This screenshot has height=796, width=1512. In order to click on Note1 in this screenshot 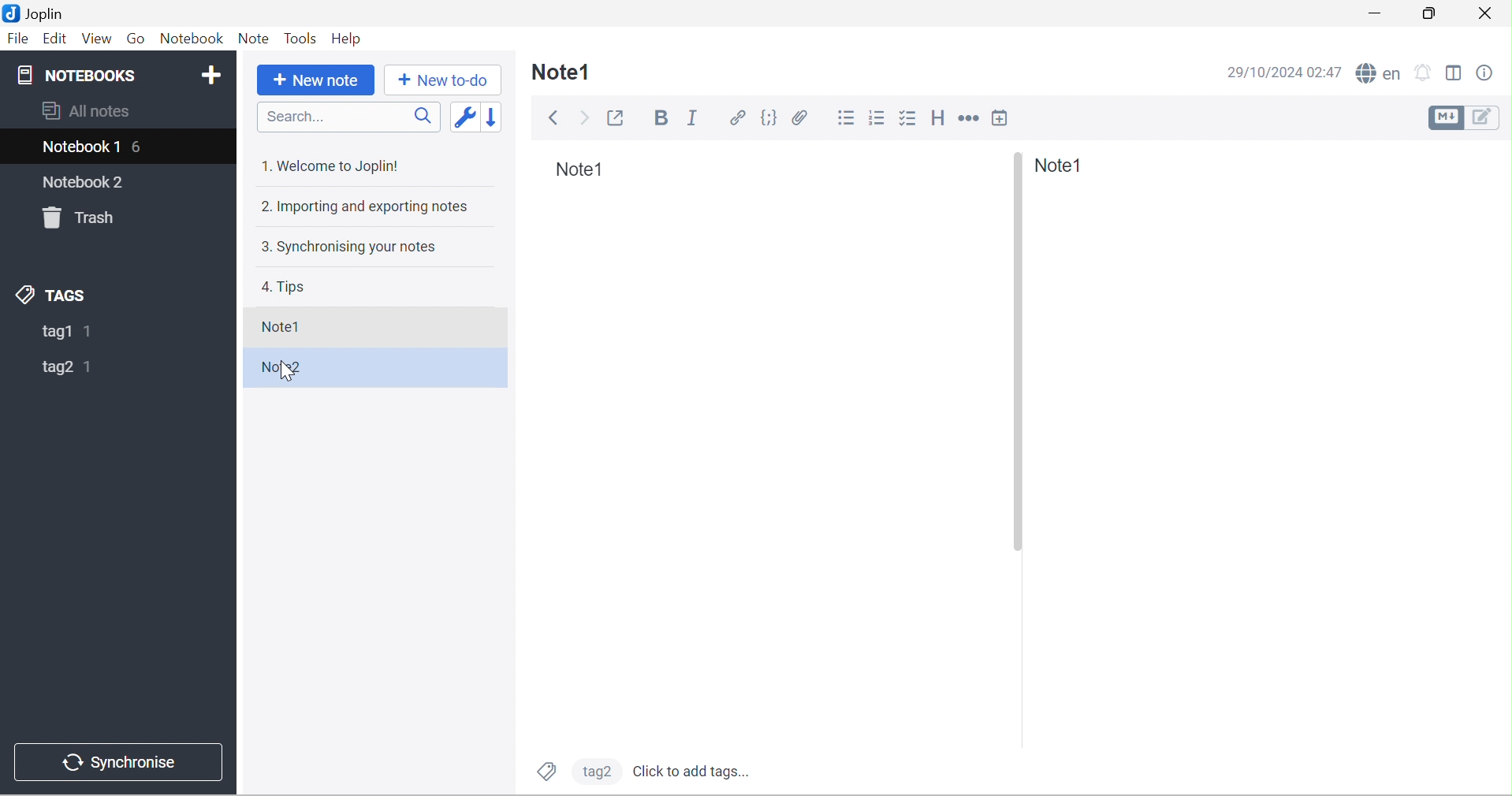, I will do `click(563, 75)`.